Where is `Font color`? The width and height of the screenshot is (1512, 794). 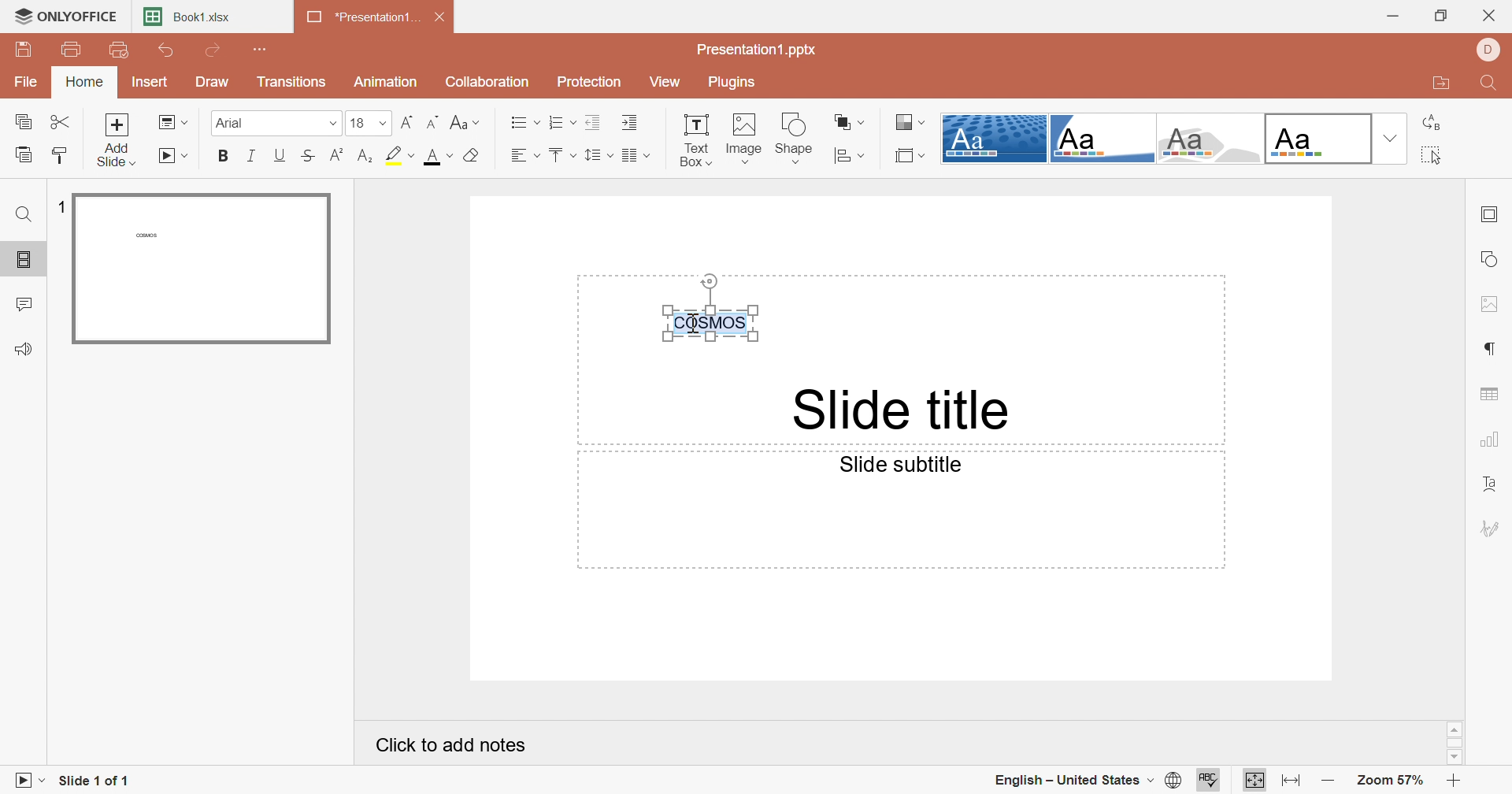
Font color is located at coordinates (438, 158).